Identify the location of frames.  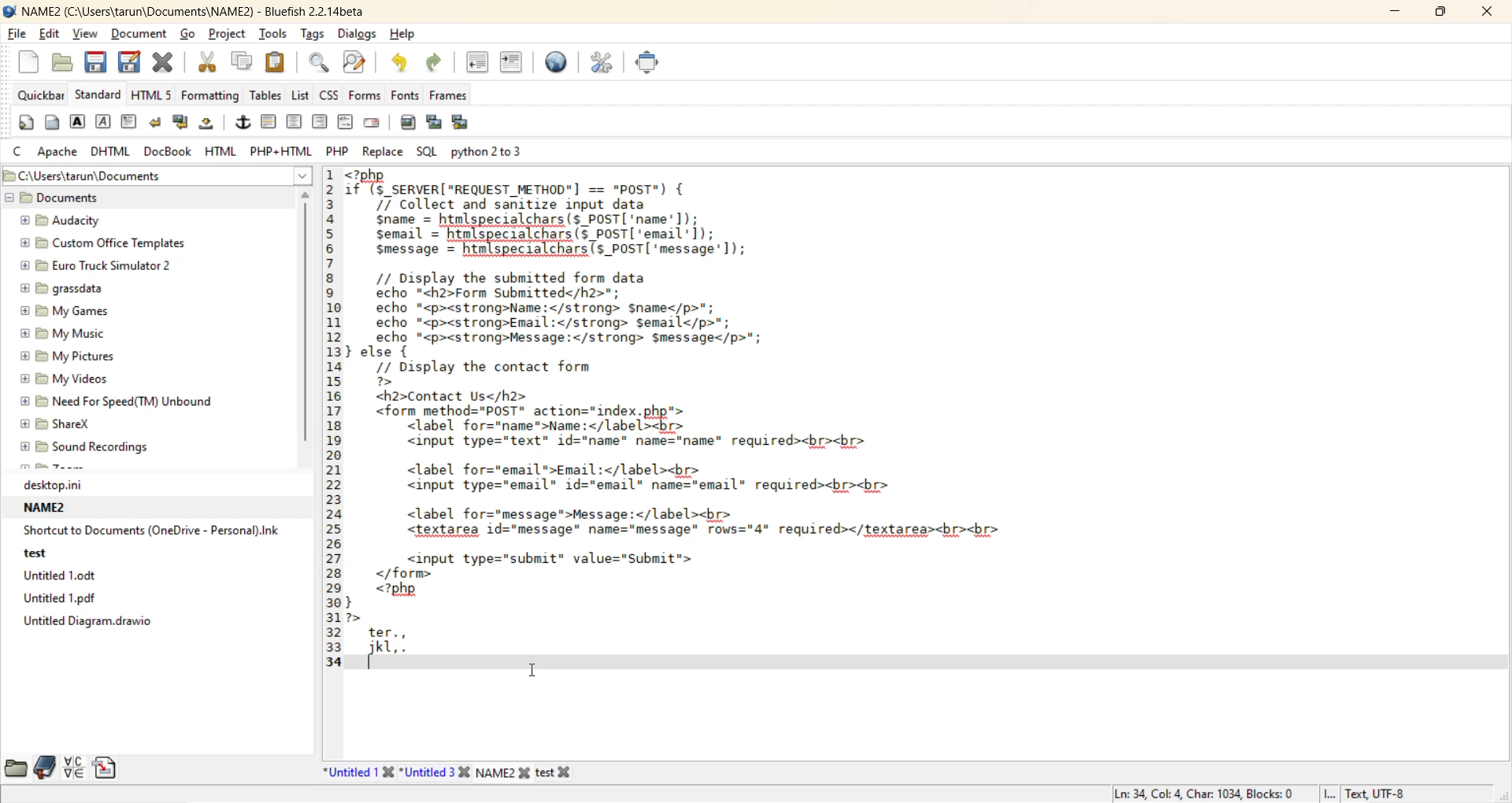
(454, 98).